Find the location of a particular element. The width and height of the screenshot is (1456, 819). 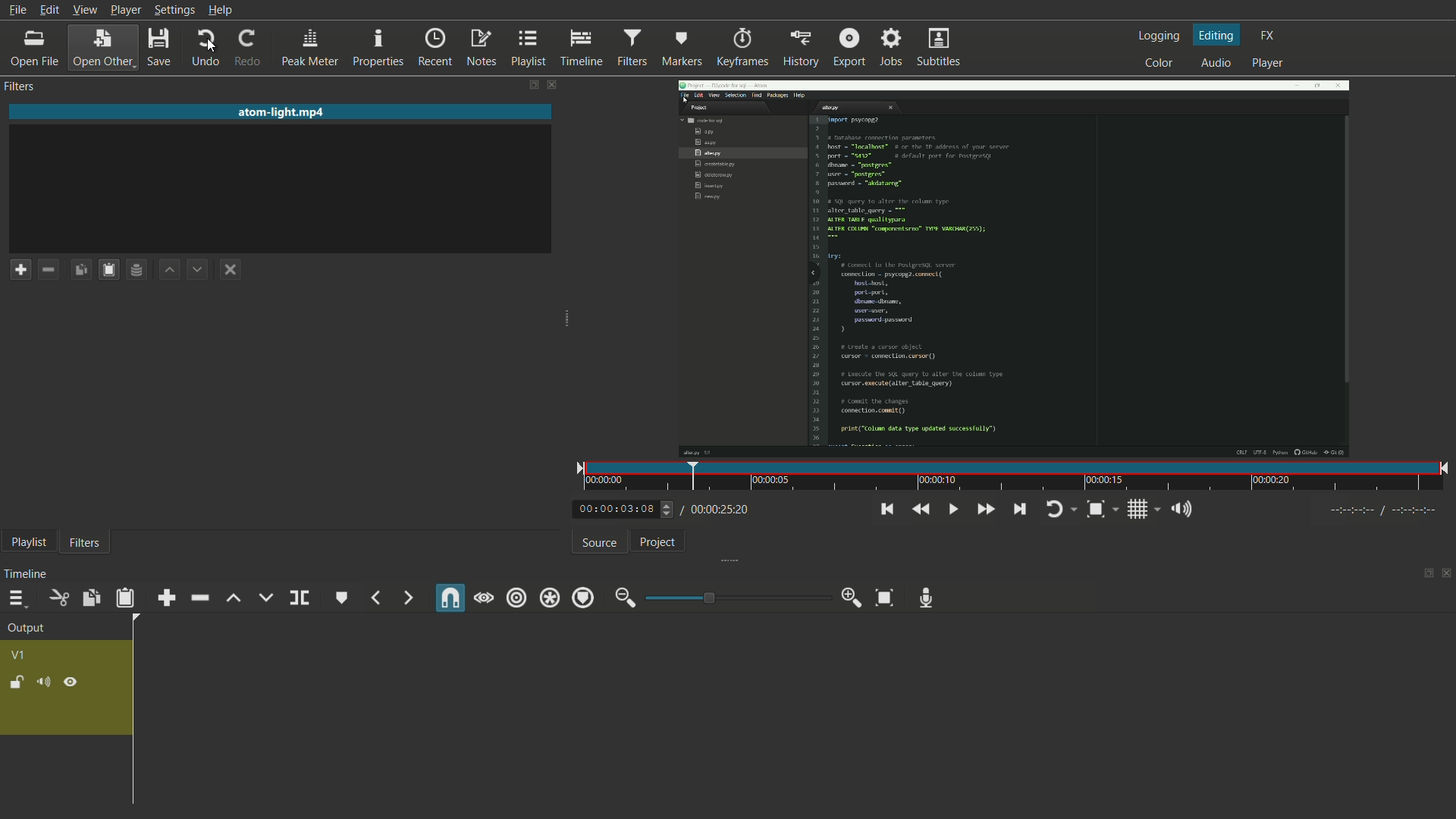

record audio is located at coordinates (929, 598).